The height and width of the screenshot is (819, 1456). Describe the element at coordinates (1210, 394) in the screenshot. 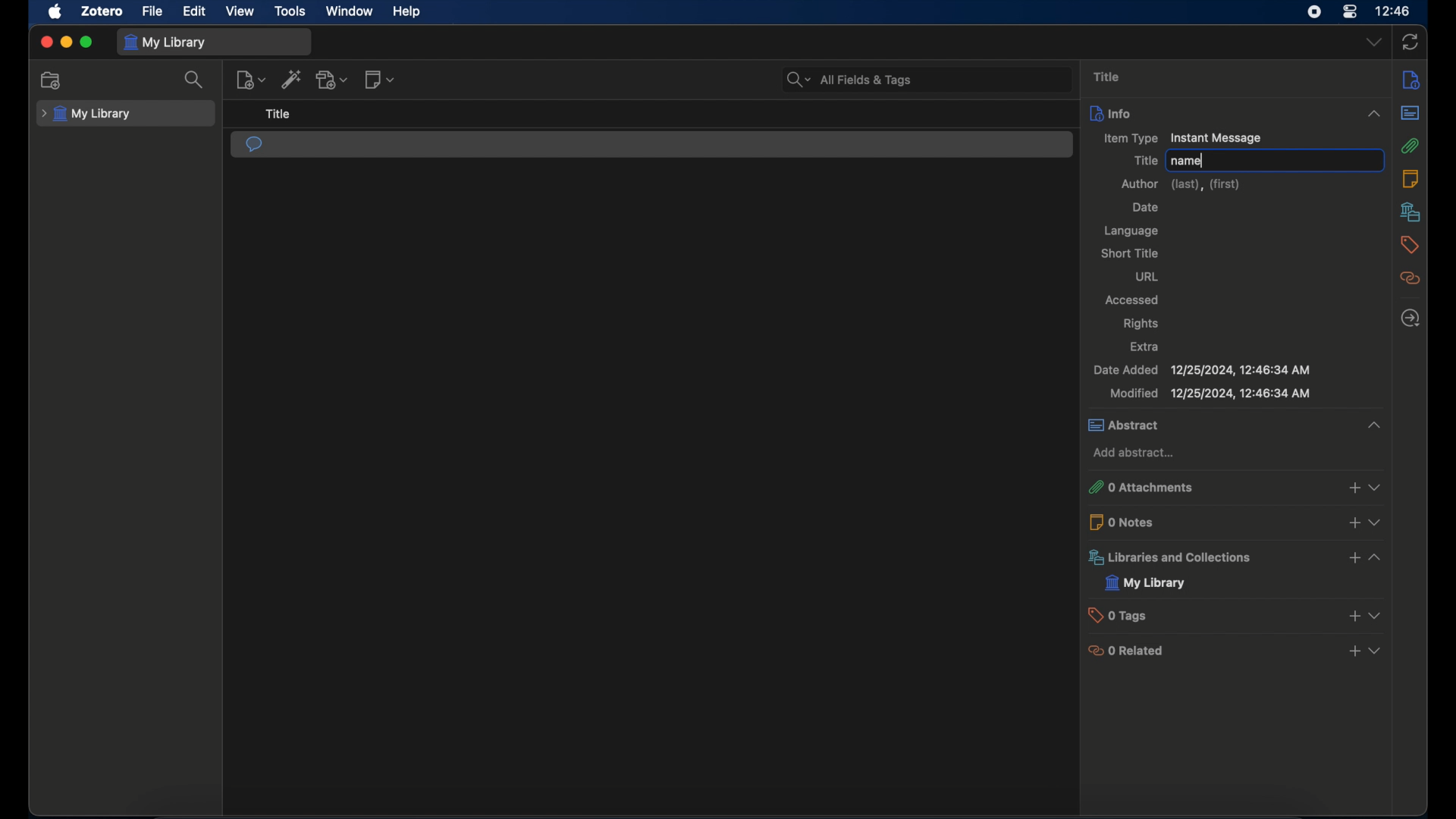

I see `modified` at that location.